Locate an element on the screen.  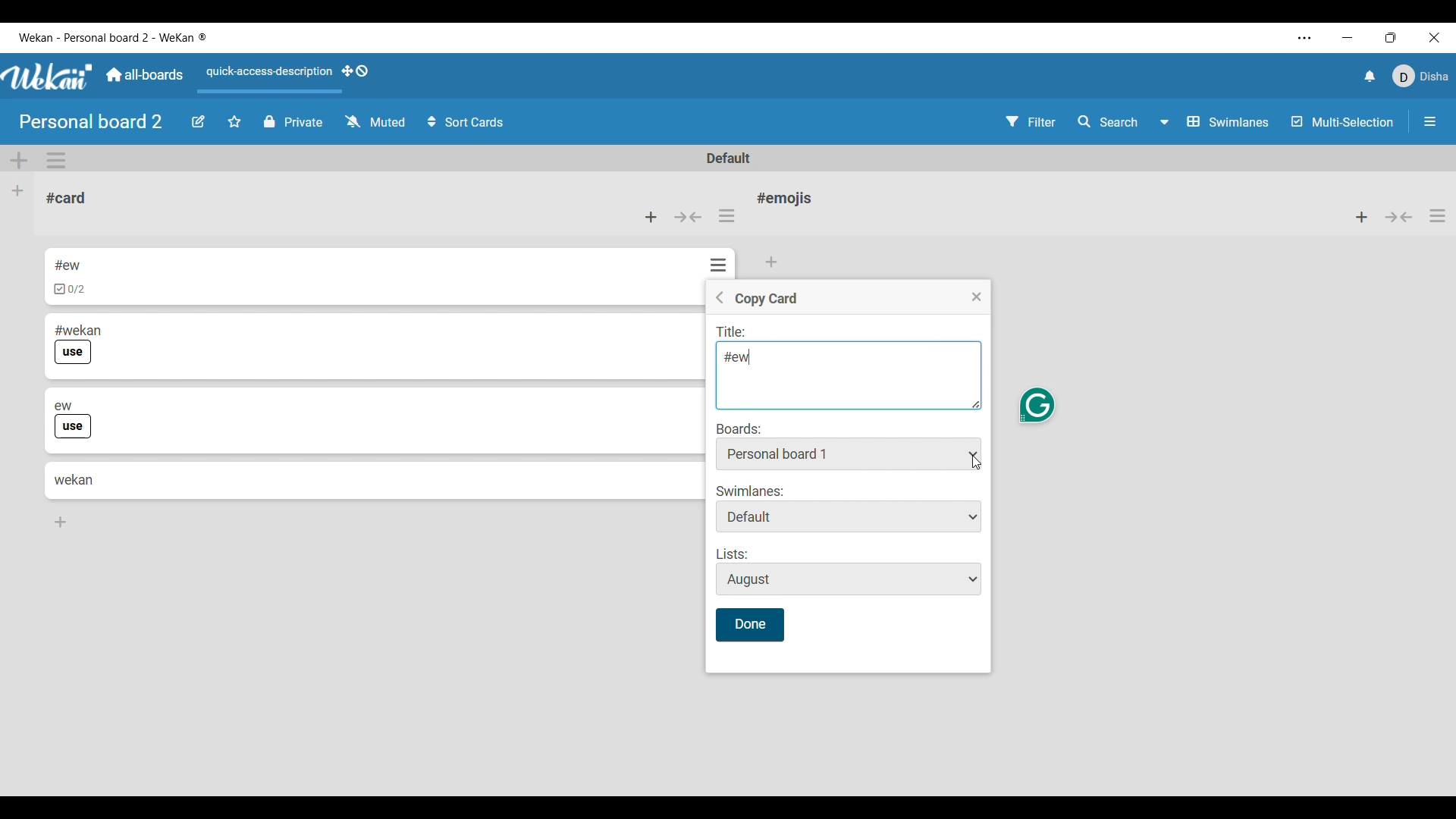
Indicates checklist in card 1 is located at coordinates (70, 290).